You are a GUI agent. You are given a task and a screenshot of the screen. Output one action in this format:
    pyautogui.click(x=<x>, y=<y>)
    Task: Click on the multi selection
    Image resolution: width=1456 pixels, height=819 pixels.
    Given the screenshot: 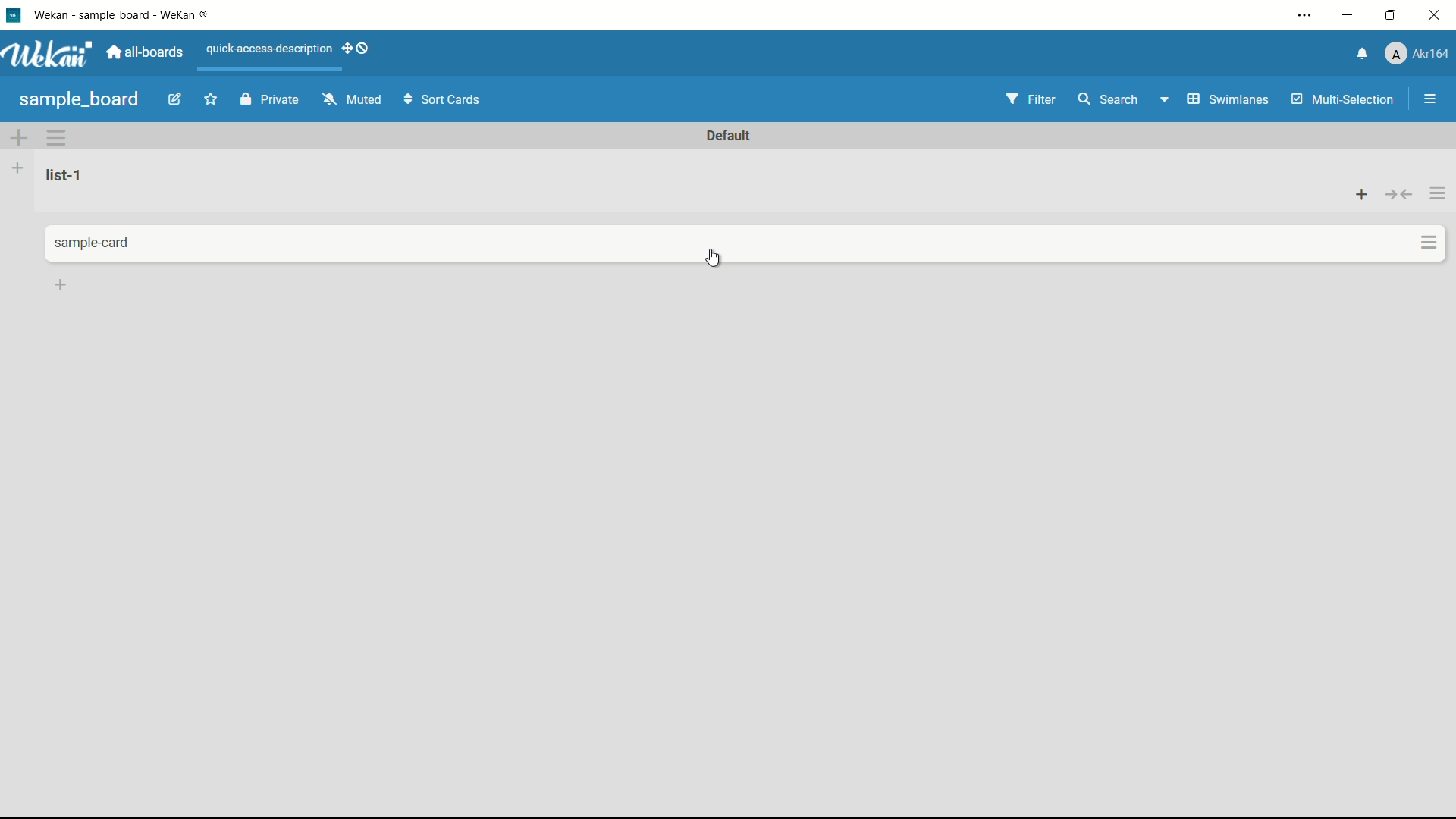 What is the action you would take?
    pyautogui.click(x=1345, y=101)
    